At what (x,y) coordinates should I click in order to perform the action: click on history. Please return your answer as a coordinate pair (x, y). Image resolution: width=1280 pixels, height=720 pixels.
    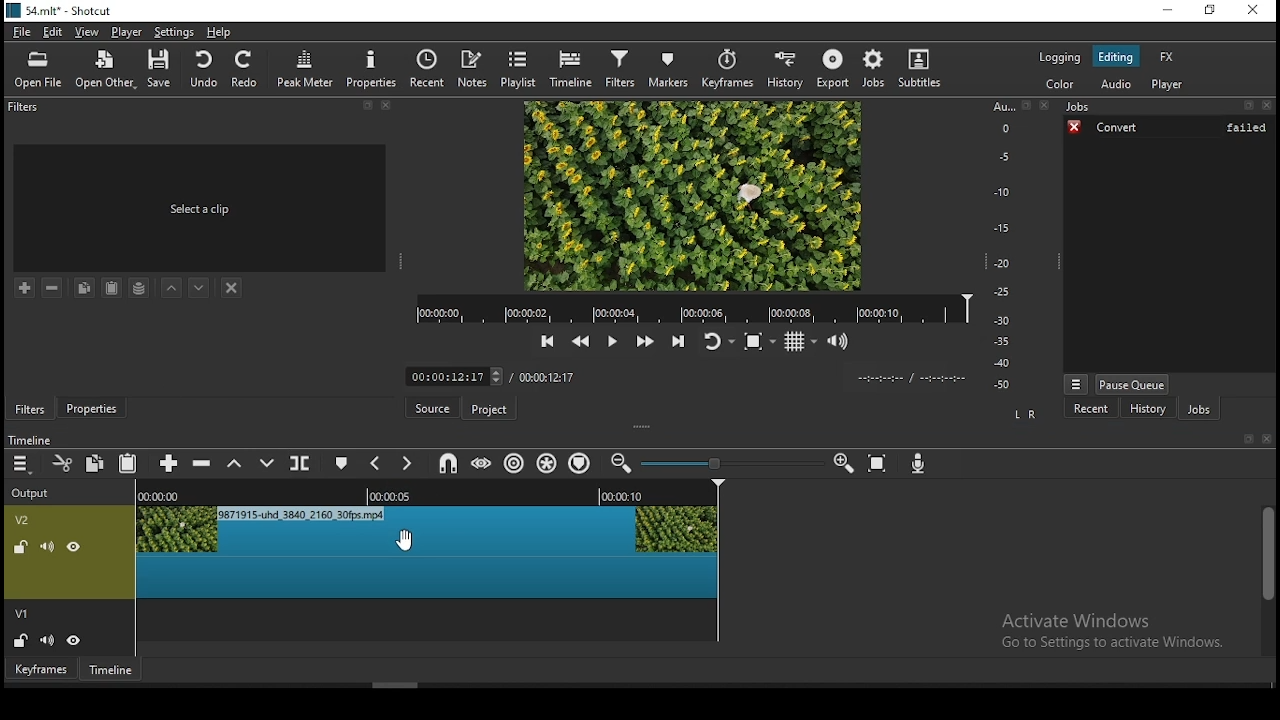
    Looking at the image, I should click on (1146, 407).